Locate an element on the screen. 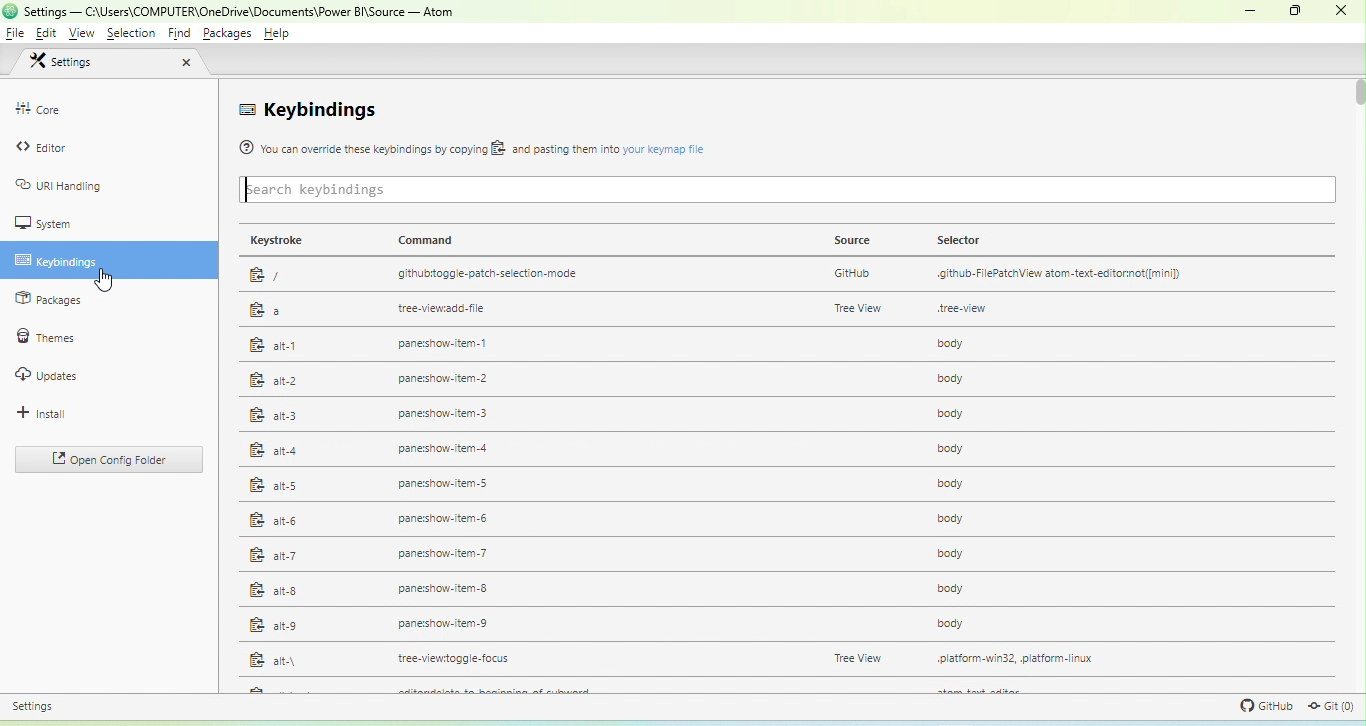 The height and width of the screenshot is (726, 1366). vertical scroll bar is located at coordinates (1357, 93).